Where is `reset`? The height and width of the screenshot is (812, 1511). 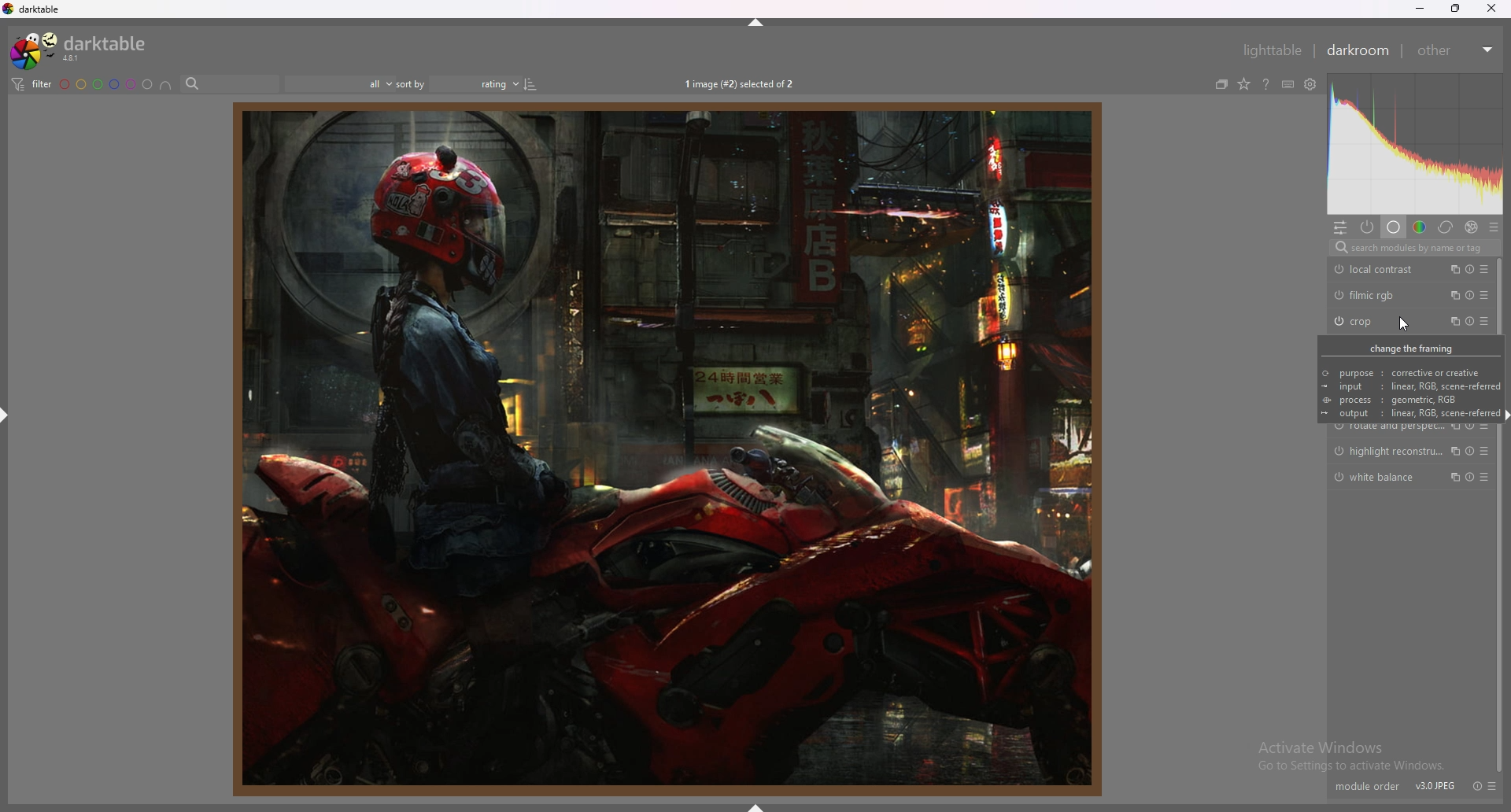
reset is located at coordinates (1469, 451).